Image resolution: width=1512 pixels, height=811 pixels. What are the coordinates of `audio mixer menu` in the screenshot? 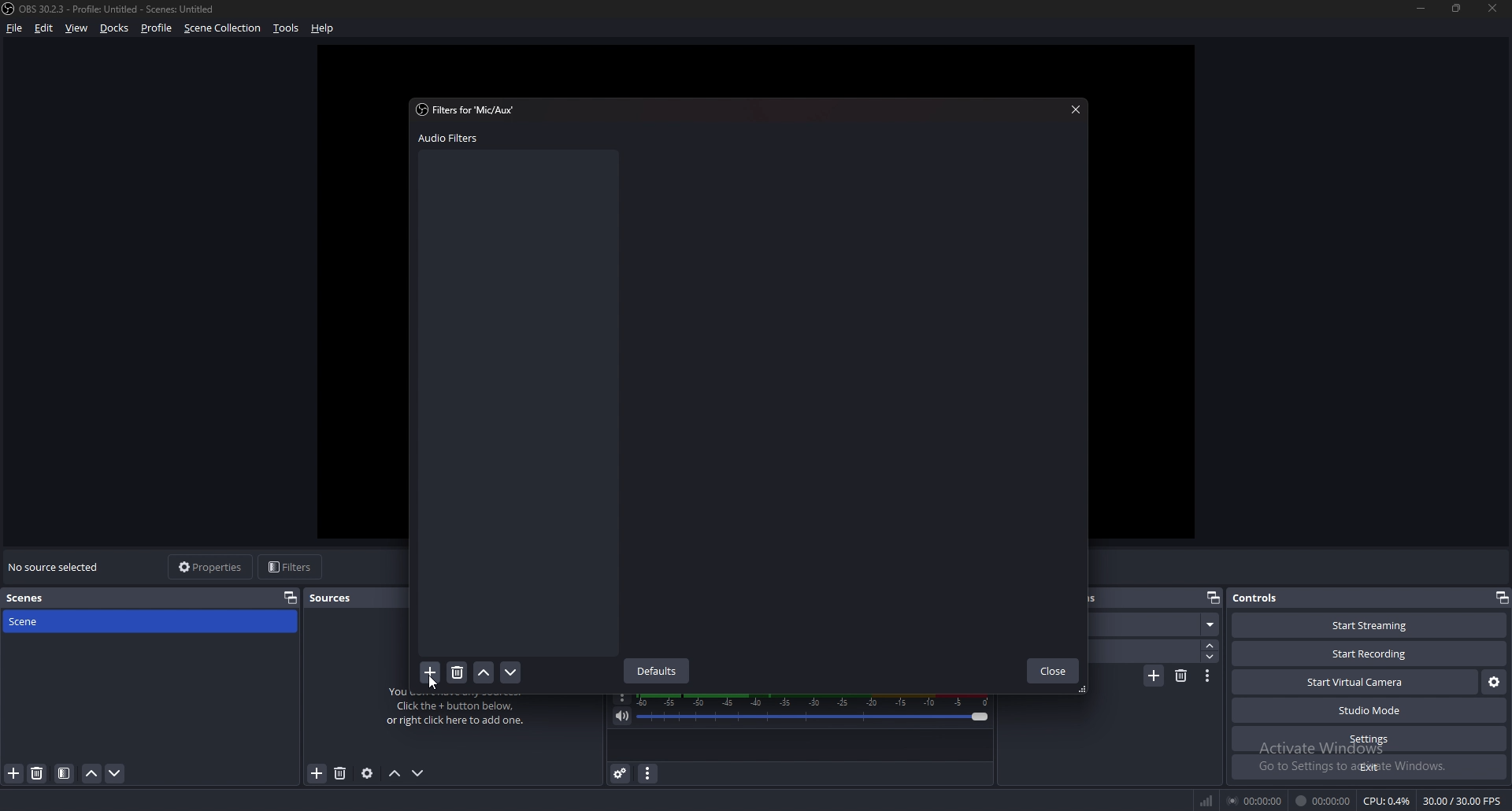 It's located at (648, 775).